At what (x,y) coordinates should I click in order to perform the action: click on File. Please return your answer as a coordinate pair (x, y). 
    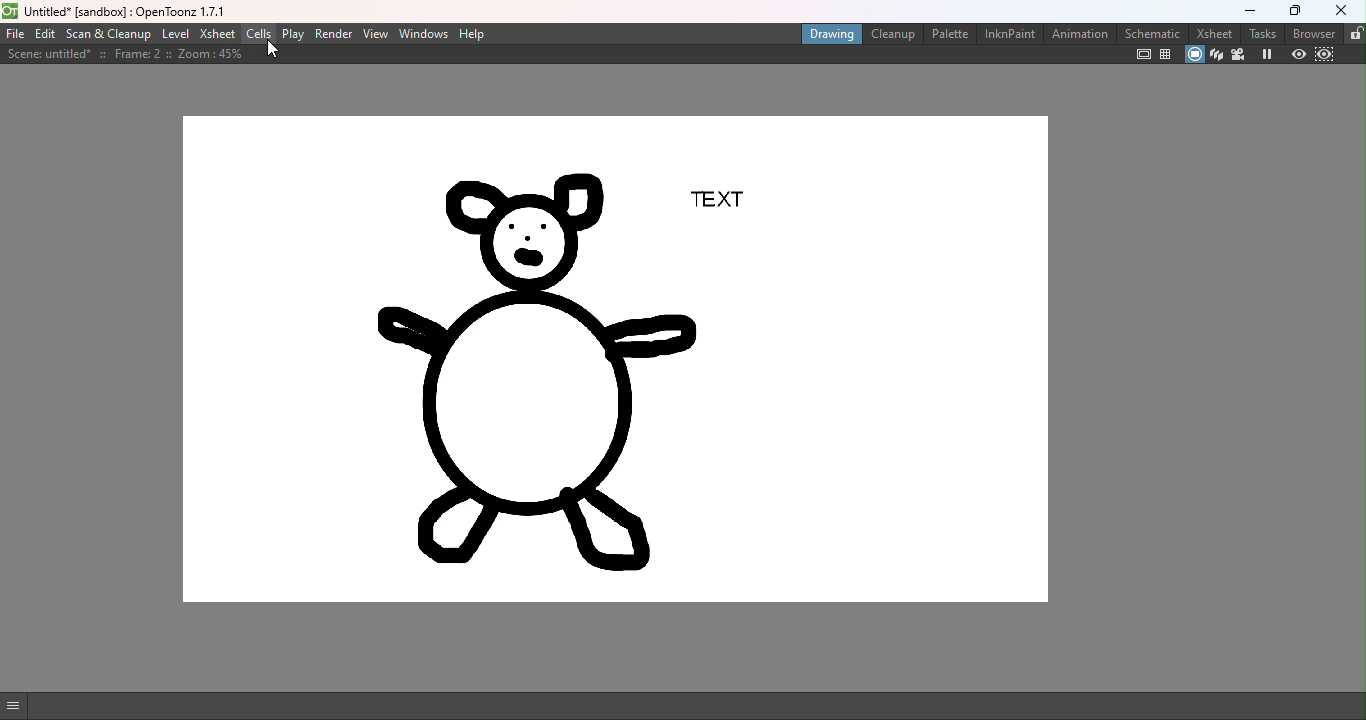
    Looking at the image, I should click on (15, 35).